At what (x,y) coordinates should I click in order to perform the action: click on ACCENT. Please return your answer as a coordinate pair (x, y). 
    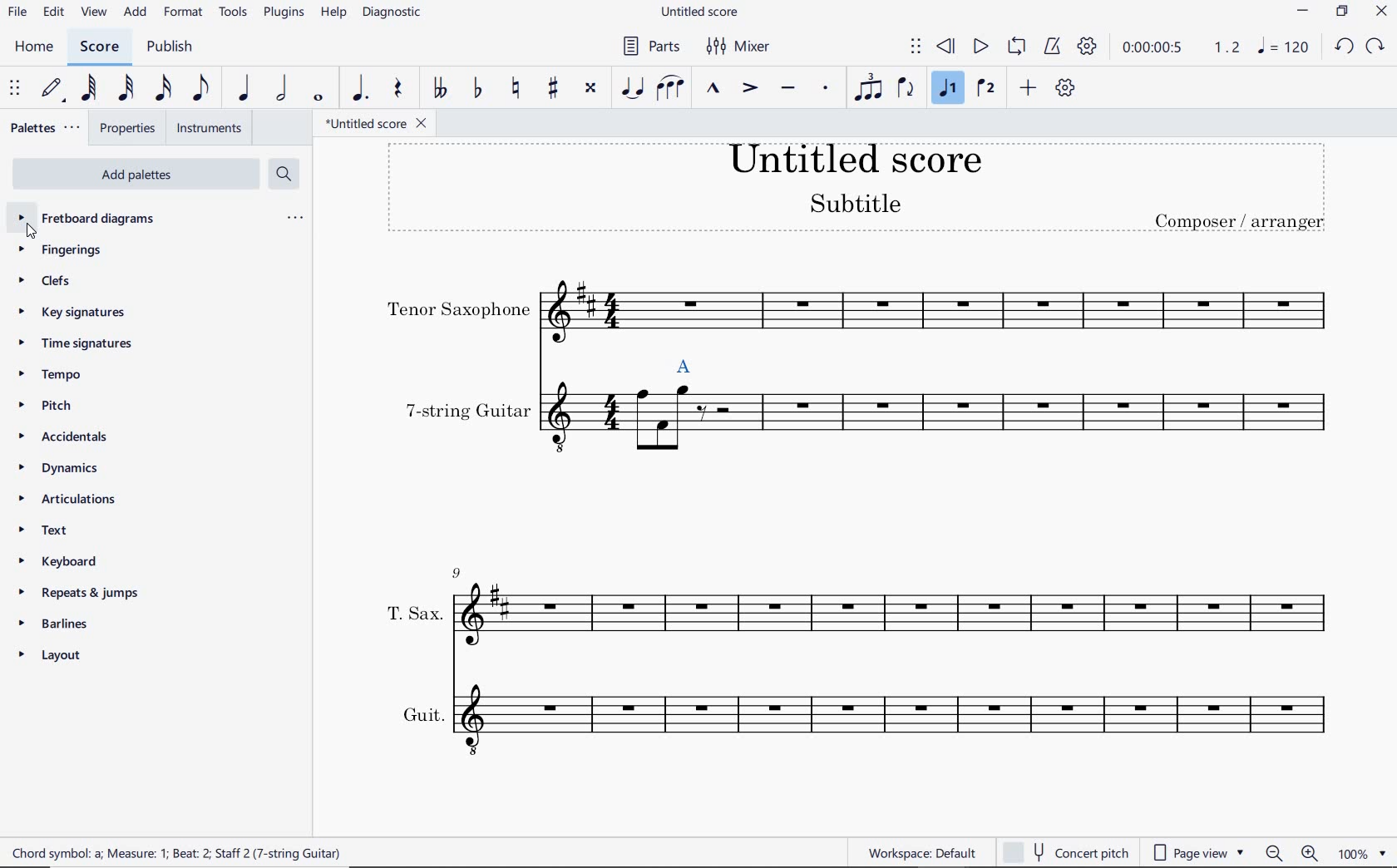
    Looking at the image, I should click on (751, 88).